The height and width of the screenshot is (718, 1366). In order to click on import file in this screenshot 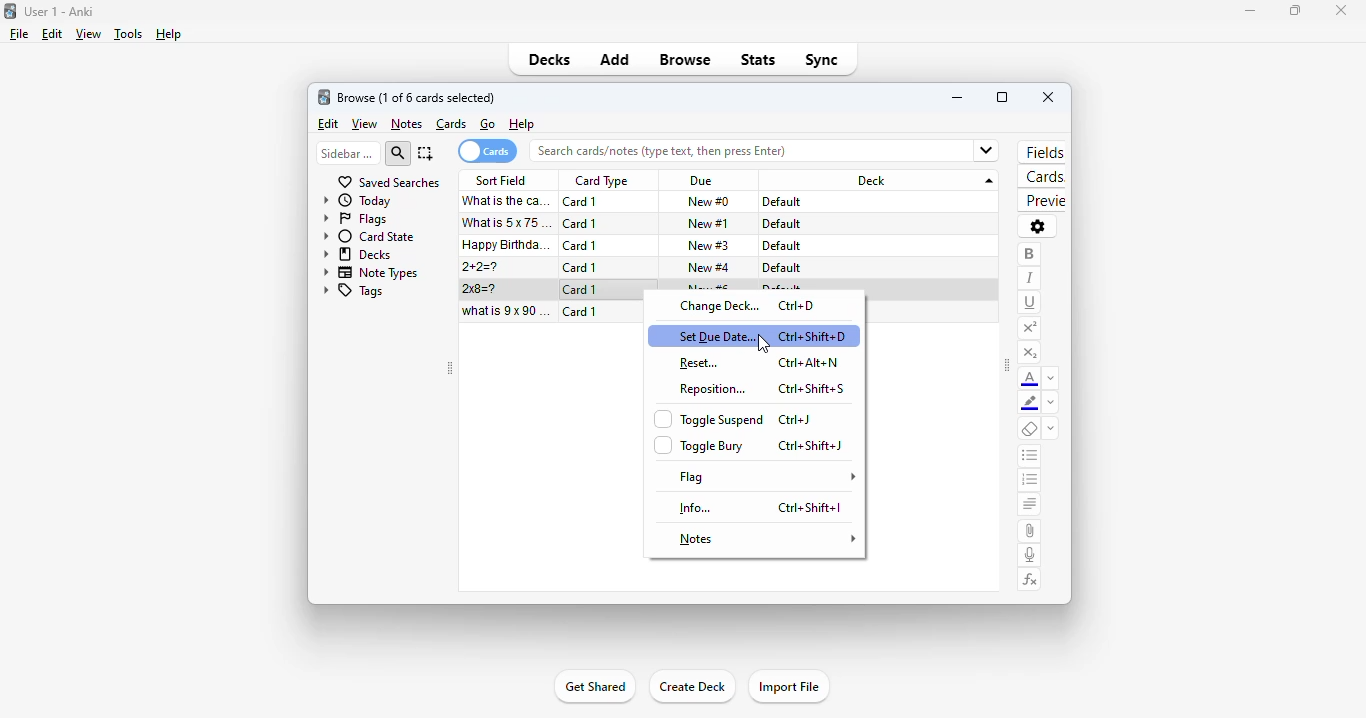, I will do `click(789, 686)`.